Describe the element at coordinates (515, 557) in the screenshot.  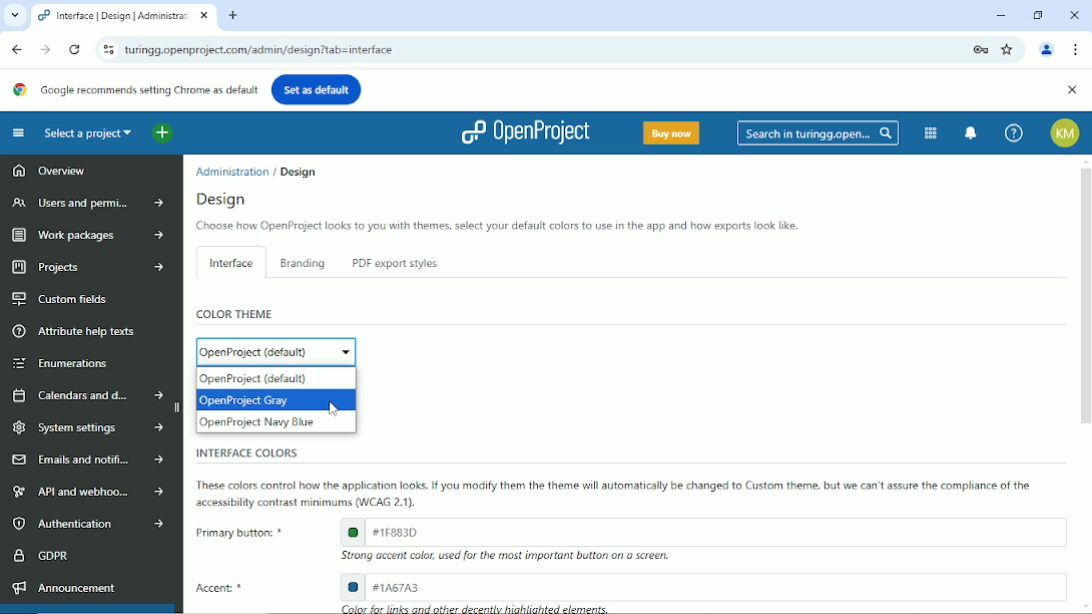
I see `EE Strong accent color, used for the mast important button on a screen.` at that location.